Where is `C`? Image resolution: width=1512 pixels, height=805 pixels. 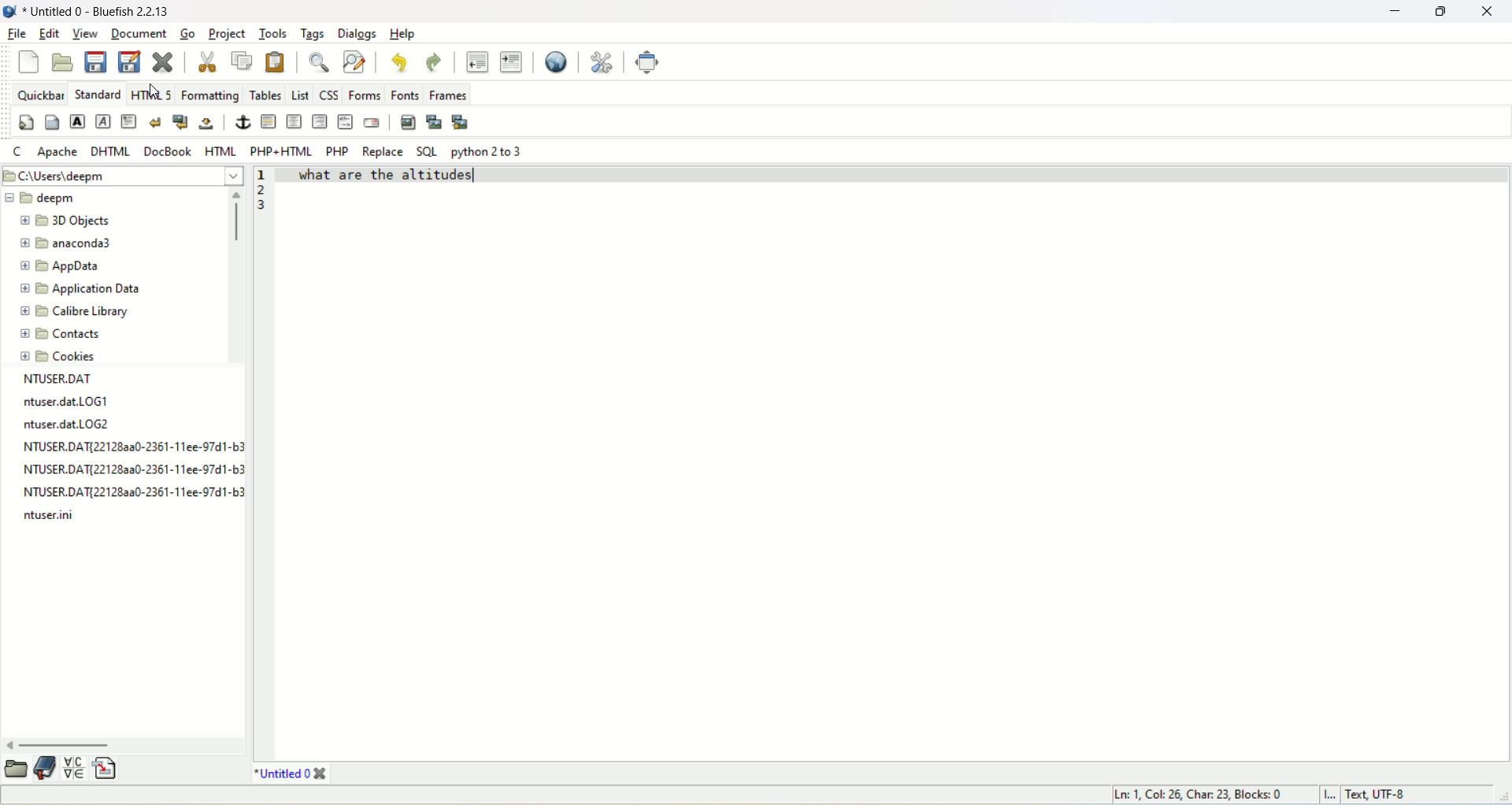
C is located at coordinates (18, 151).